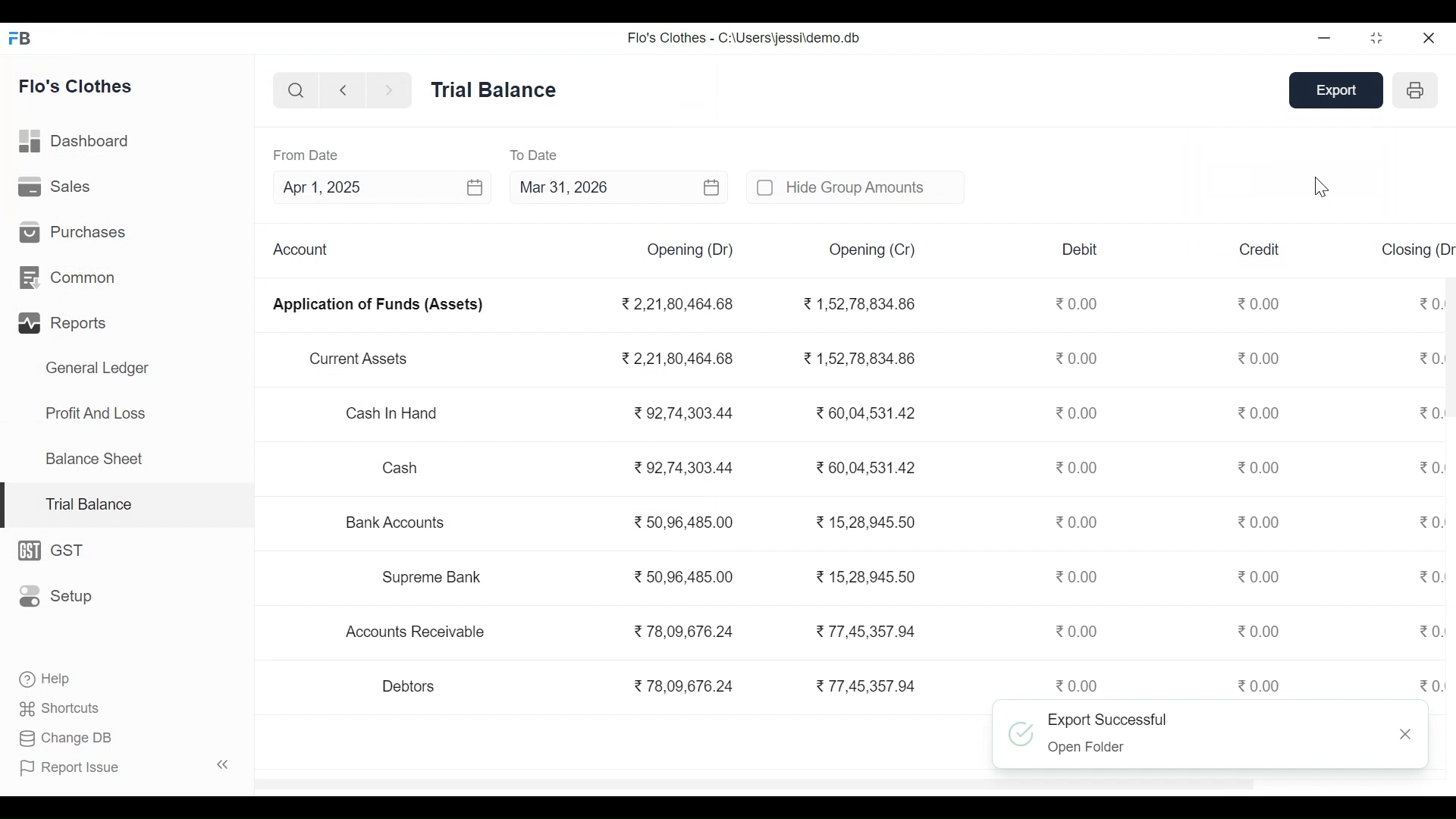  What do you see at coordinates (76, 141) in the screenshot?
I see `Dashboard` at bounding box center [76, 141].